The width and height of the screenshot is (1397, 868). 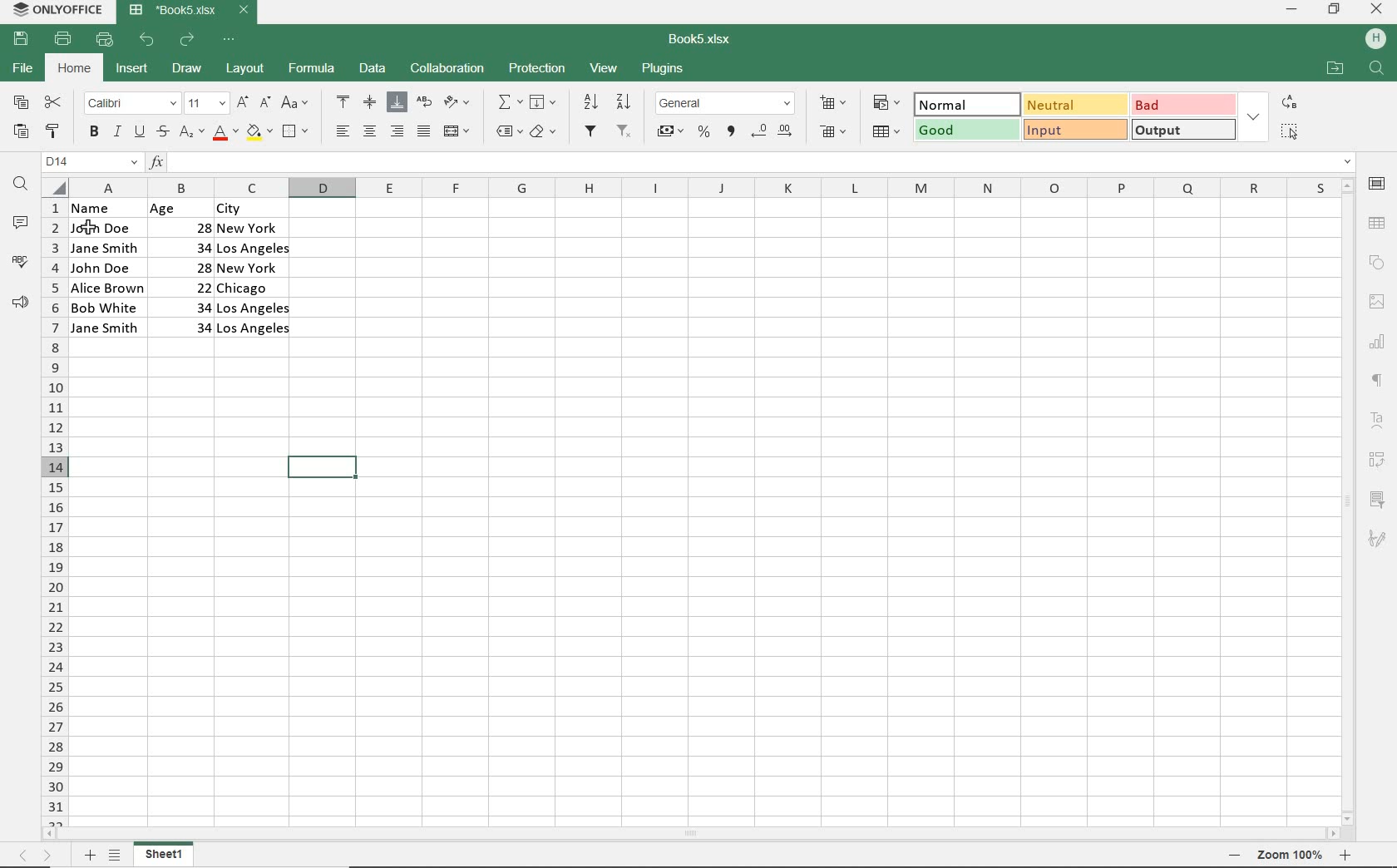 I want to click on INPUT, so click(x=1074, y=130).